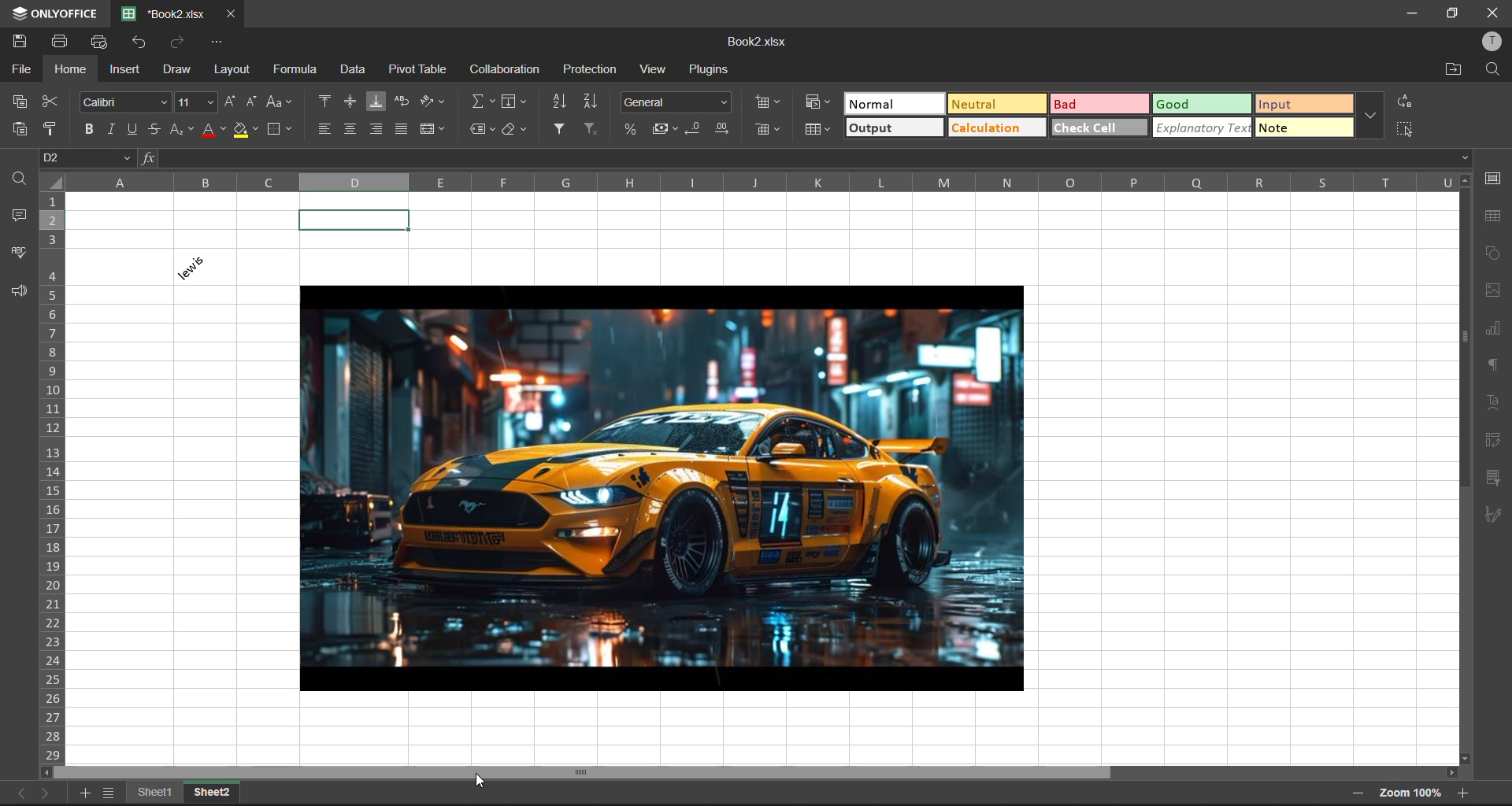 The height and width of the screenshot is (806, 1512). I want to click on protection, so click(592, 69).